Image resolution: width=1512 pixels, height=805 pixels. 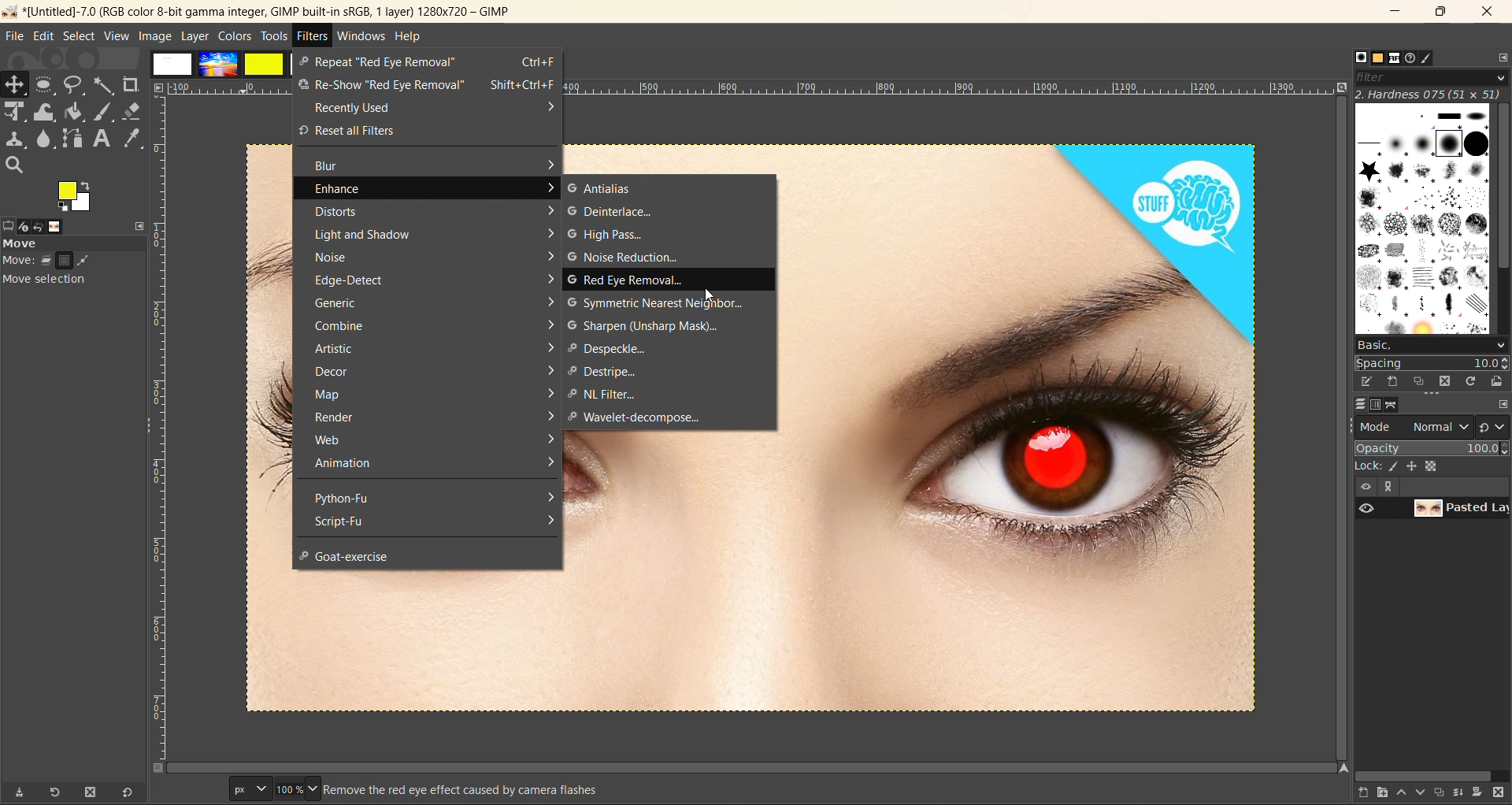 What do you see at coordinates (273, 37) in the screenshot?
I see `tools` at bounding box center [273, 37].